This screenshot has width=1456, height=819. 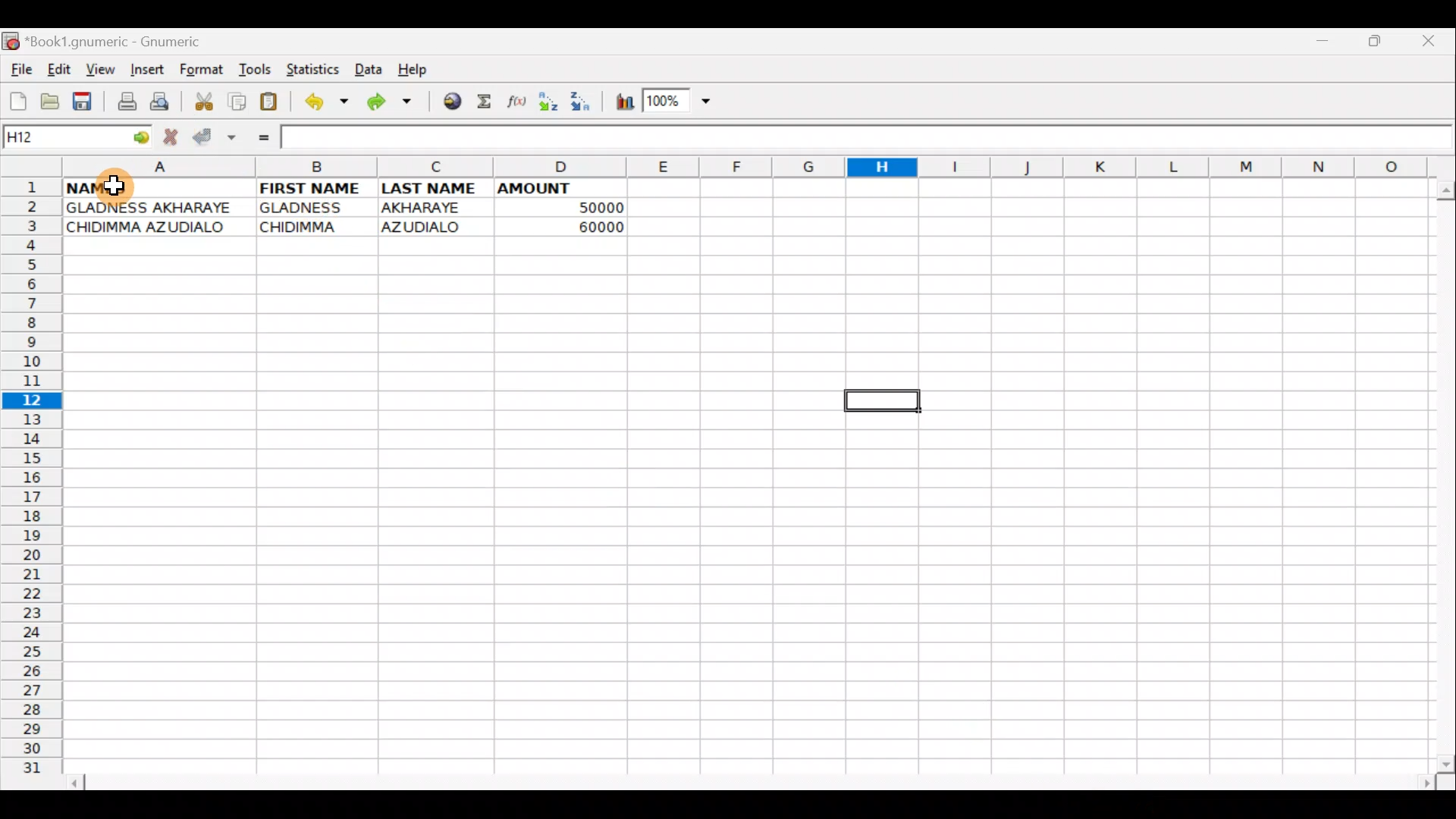 What do you see at coordinates (212, 137) in the screenshot?
I see `Accept change` at bounding box center [212, 137].